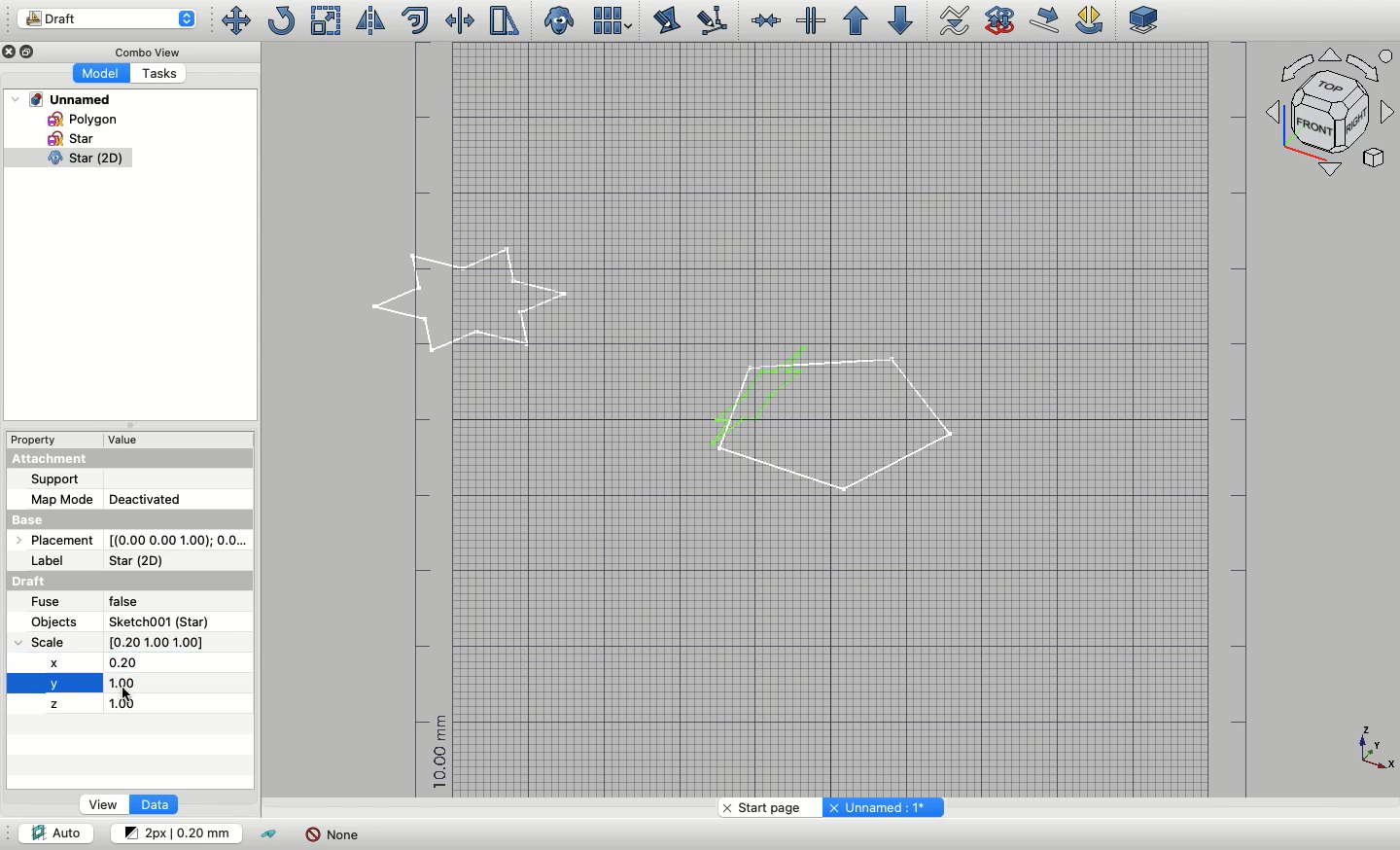 This screenshot has height=850, width=1400. I want to click on Array tools, so click(610, 20).